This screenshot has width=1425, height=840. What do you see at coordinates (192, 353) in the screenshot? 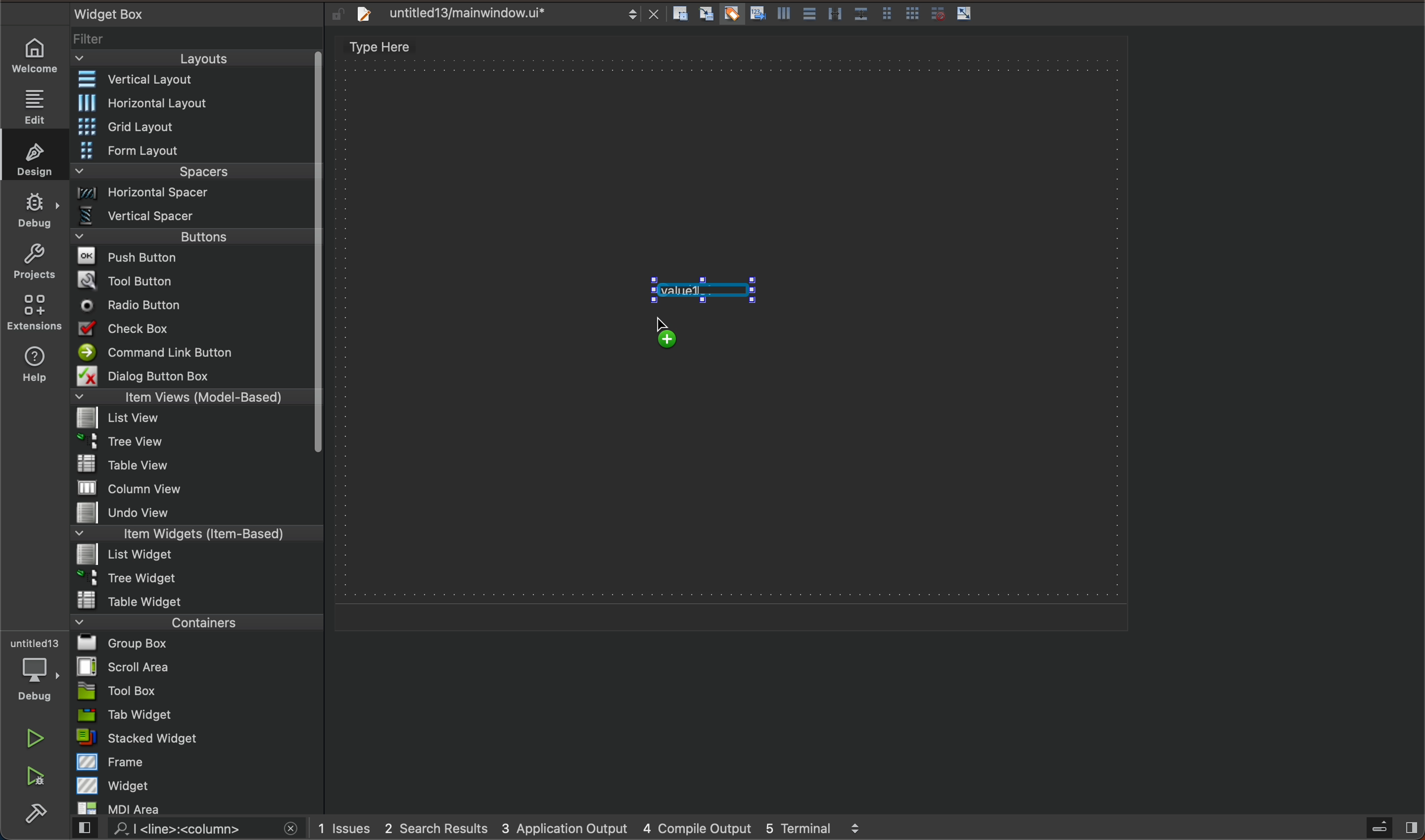
I see `command line` at bounding box center [192, 353].